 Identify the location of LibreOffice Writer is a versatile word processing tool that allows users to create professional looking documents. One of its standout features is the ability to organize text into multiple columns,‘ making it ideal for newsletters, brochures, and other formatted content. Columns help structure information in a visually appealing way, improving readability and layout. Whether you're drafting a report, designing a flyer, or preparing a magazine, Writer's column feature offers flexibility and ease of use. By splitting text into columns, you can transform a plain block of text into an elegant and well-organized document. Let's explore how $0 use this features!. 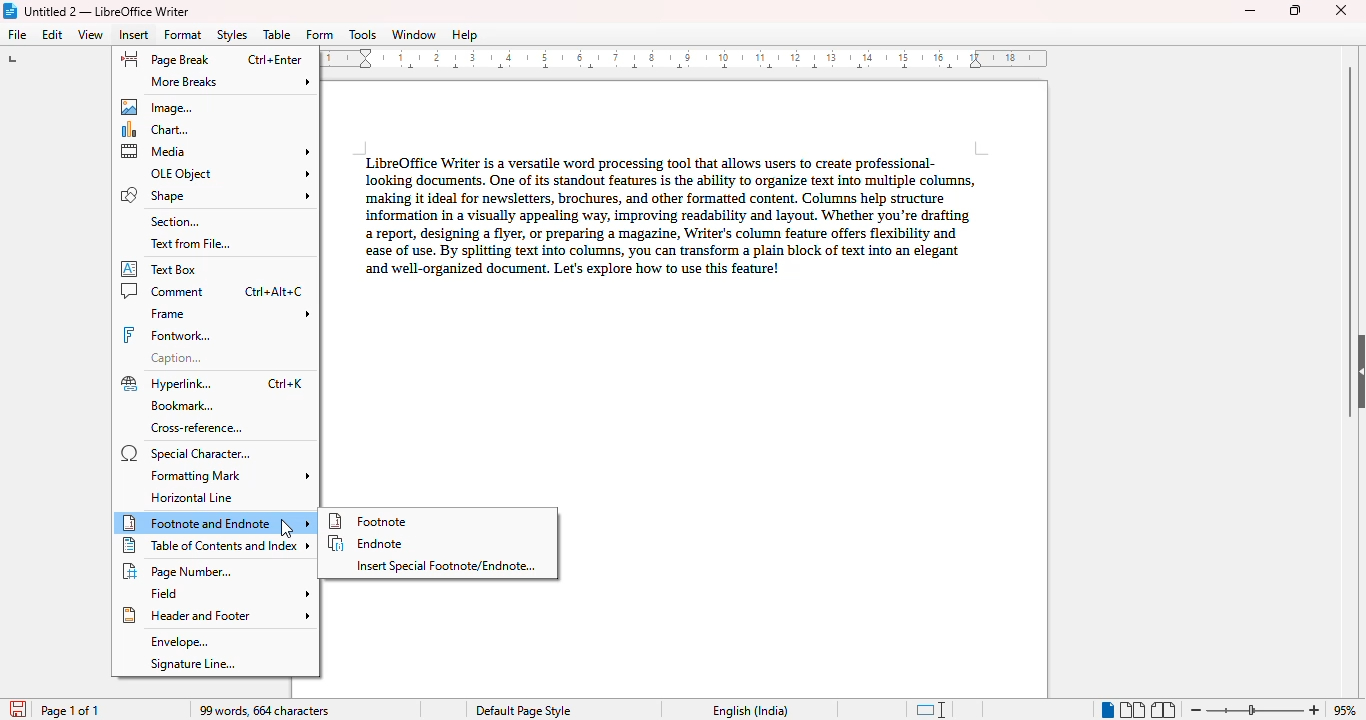
(665, 211).